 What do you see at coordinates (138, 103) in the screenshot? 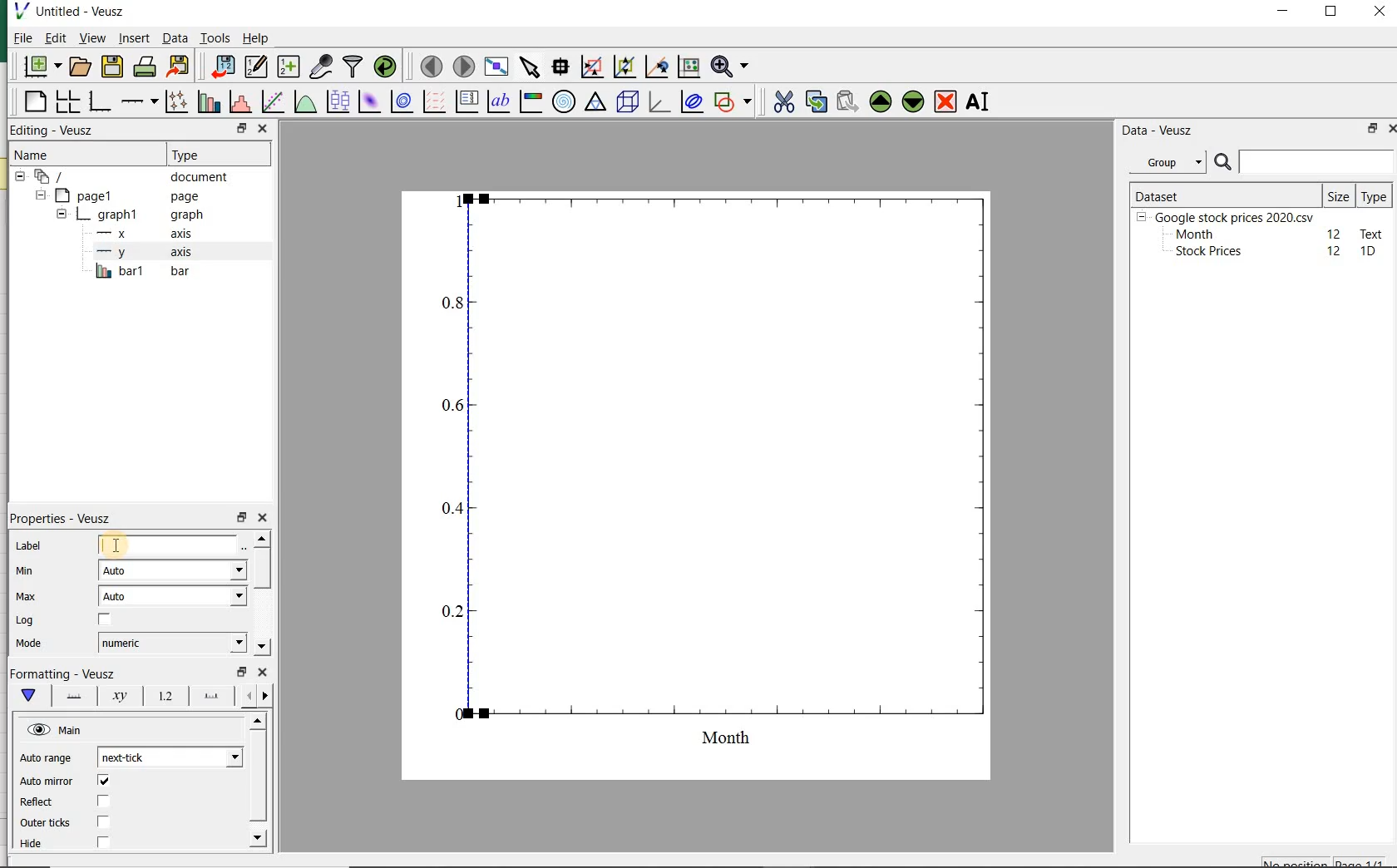
I see `add an axis to the plot` at bounding box center [138, 103].